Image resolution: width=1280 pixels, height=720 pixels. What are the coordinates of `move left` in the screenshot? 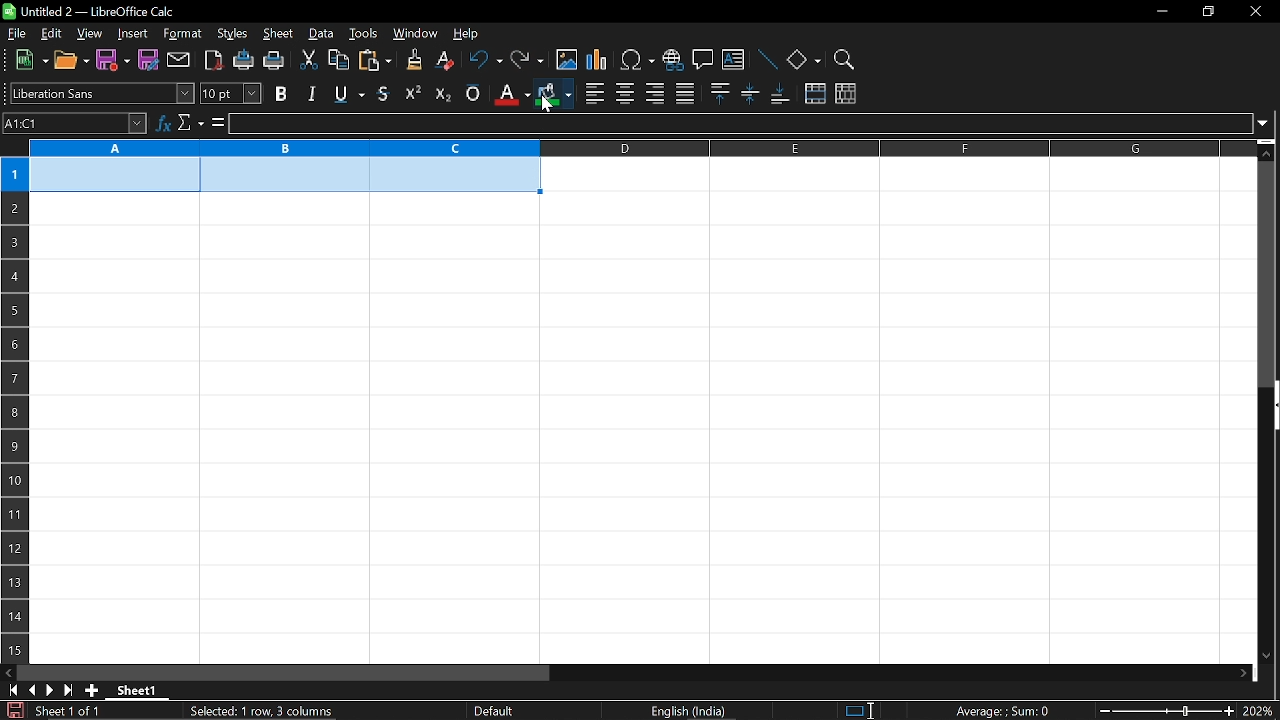 It's located at (8, 673).